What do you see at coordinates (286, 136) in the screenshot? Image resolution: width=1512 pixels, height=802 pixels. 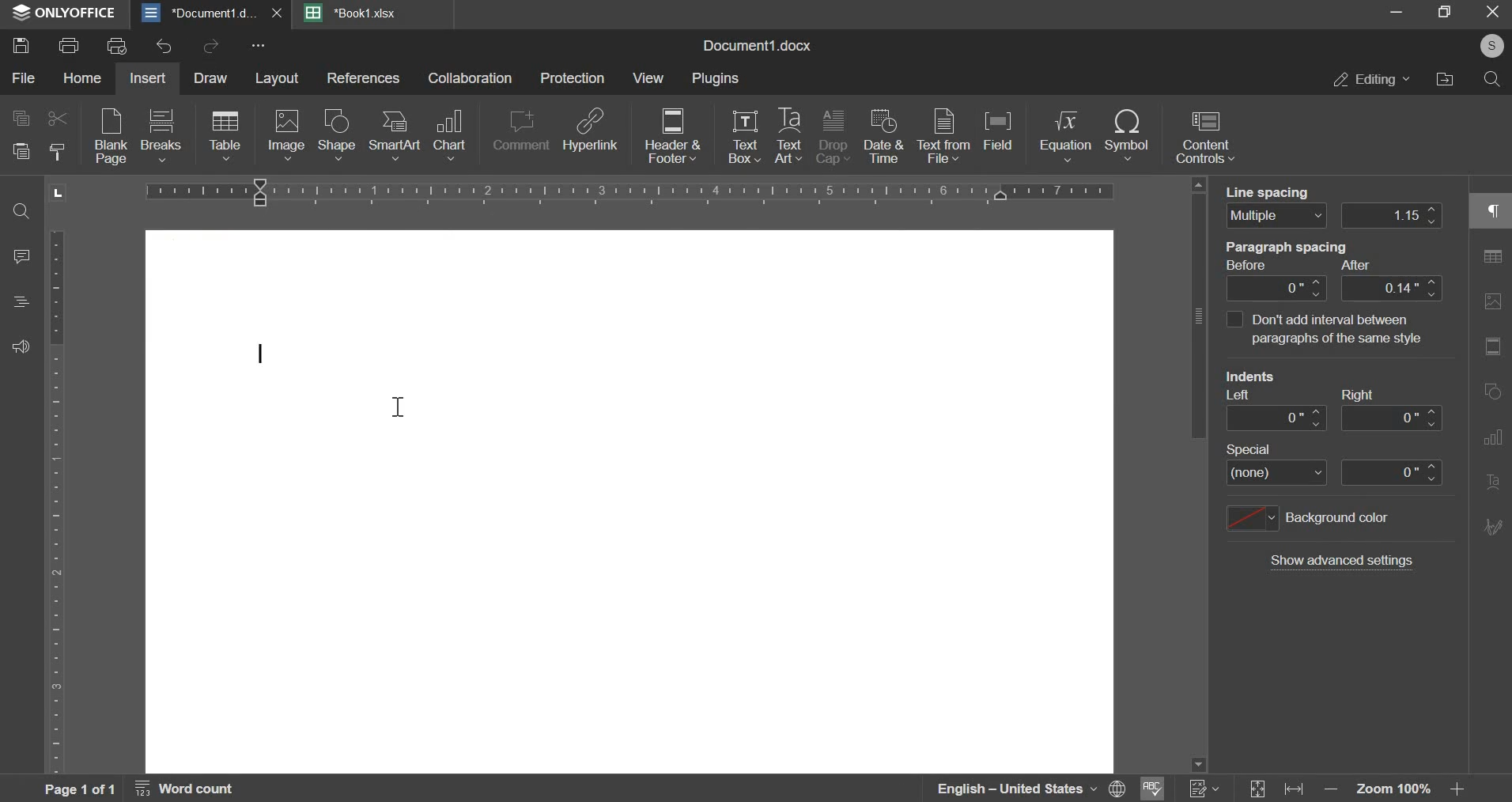 I see `image` at bounding box center [286, 136].